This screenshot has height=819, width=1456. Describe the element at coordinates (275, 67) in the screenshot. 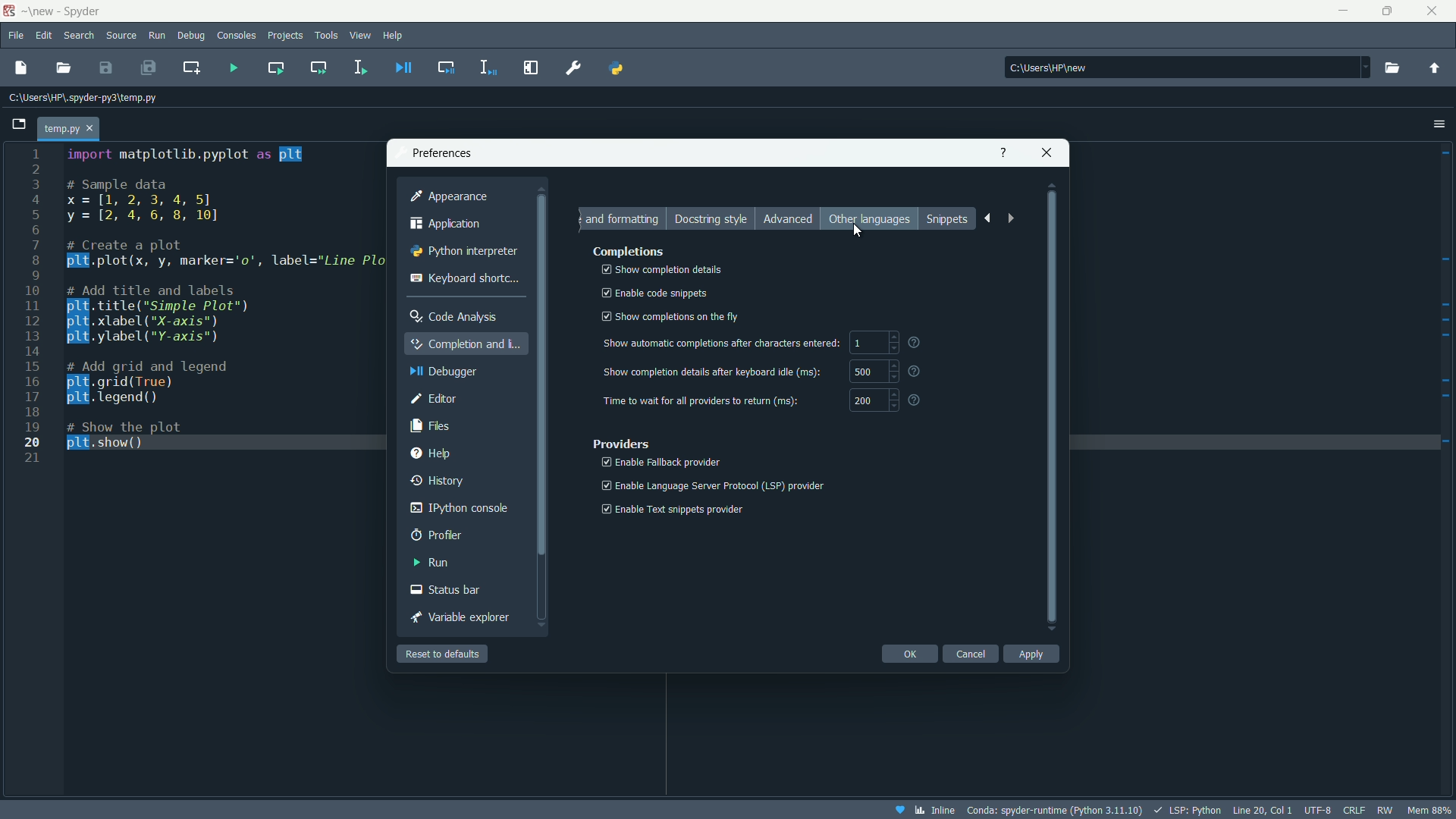

I see `run current cell` at that location.